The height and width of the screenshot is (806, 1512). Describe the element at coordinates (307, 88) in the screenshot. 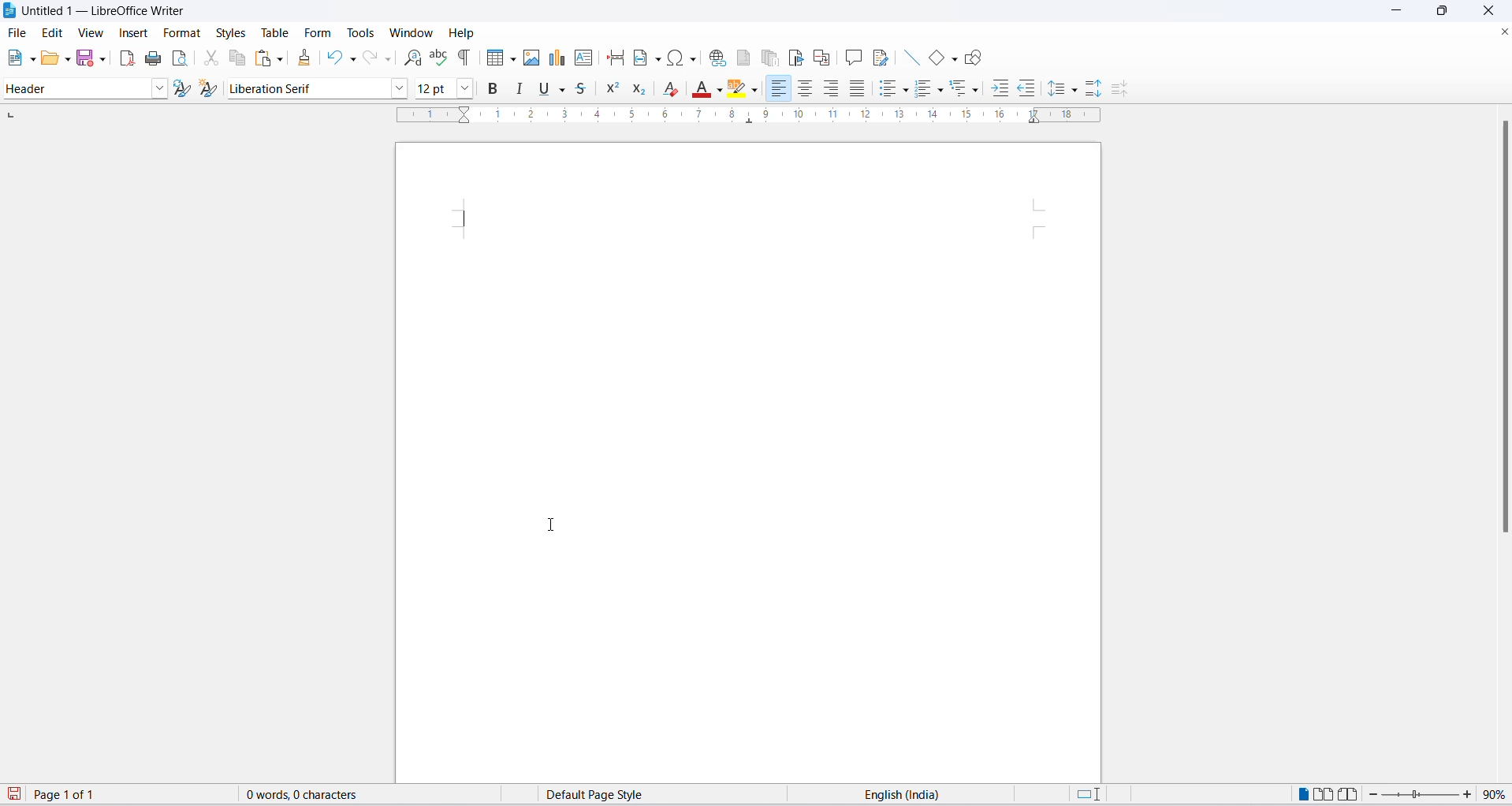

I see `font name` at that location.